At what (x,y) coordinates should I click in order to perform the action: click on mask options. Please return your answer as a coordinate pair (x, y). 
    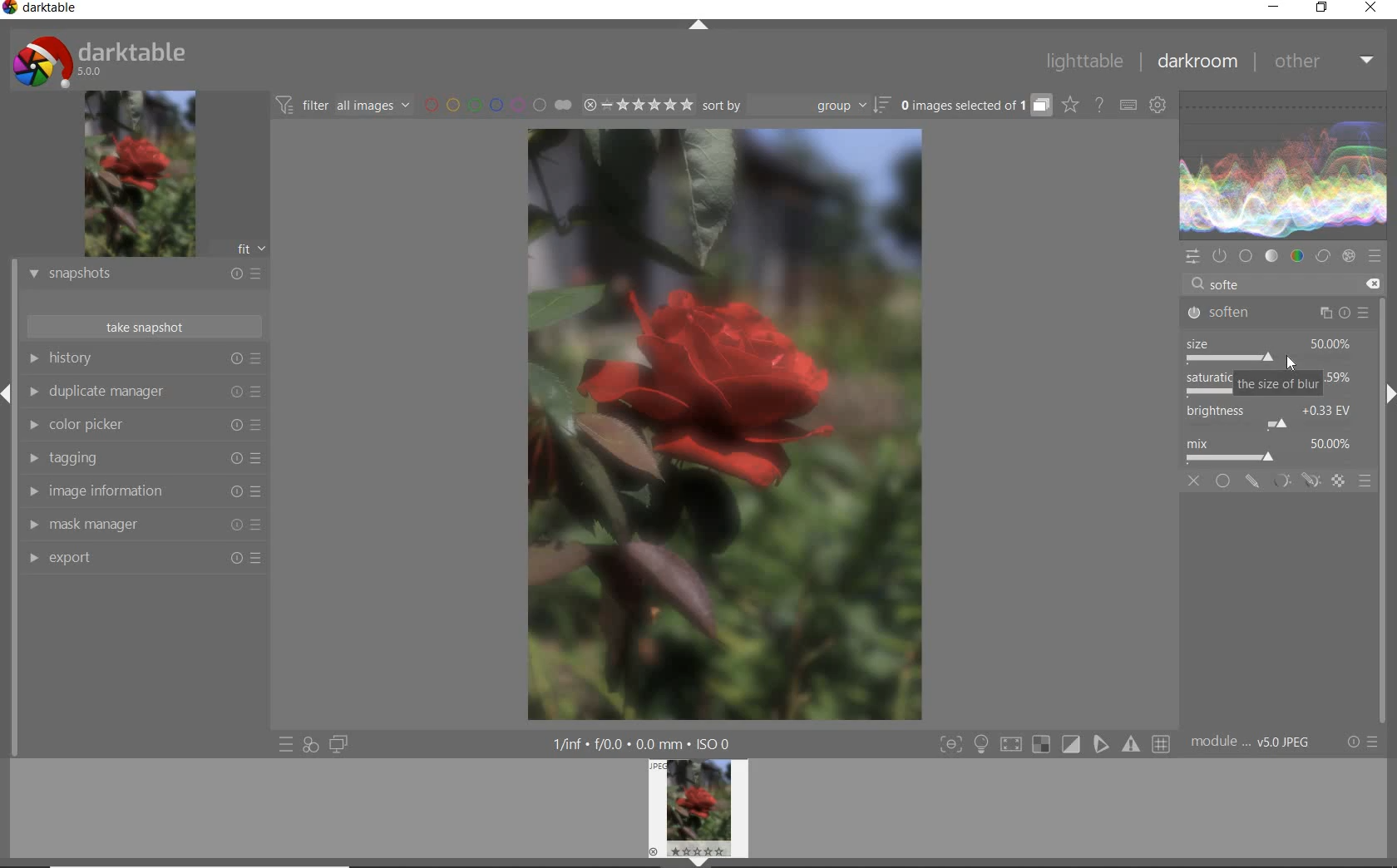
    Looking at the image, I should click on (1293, 481).